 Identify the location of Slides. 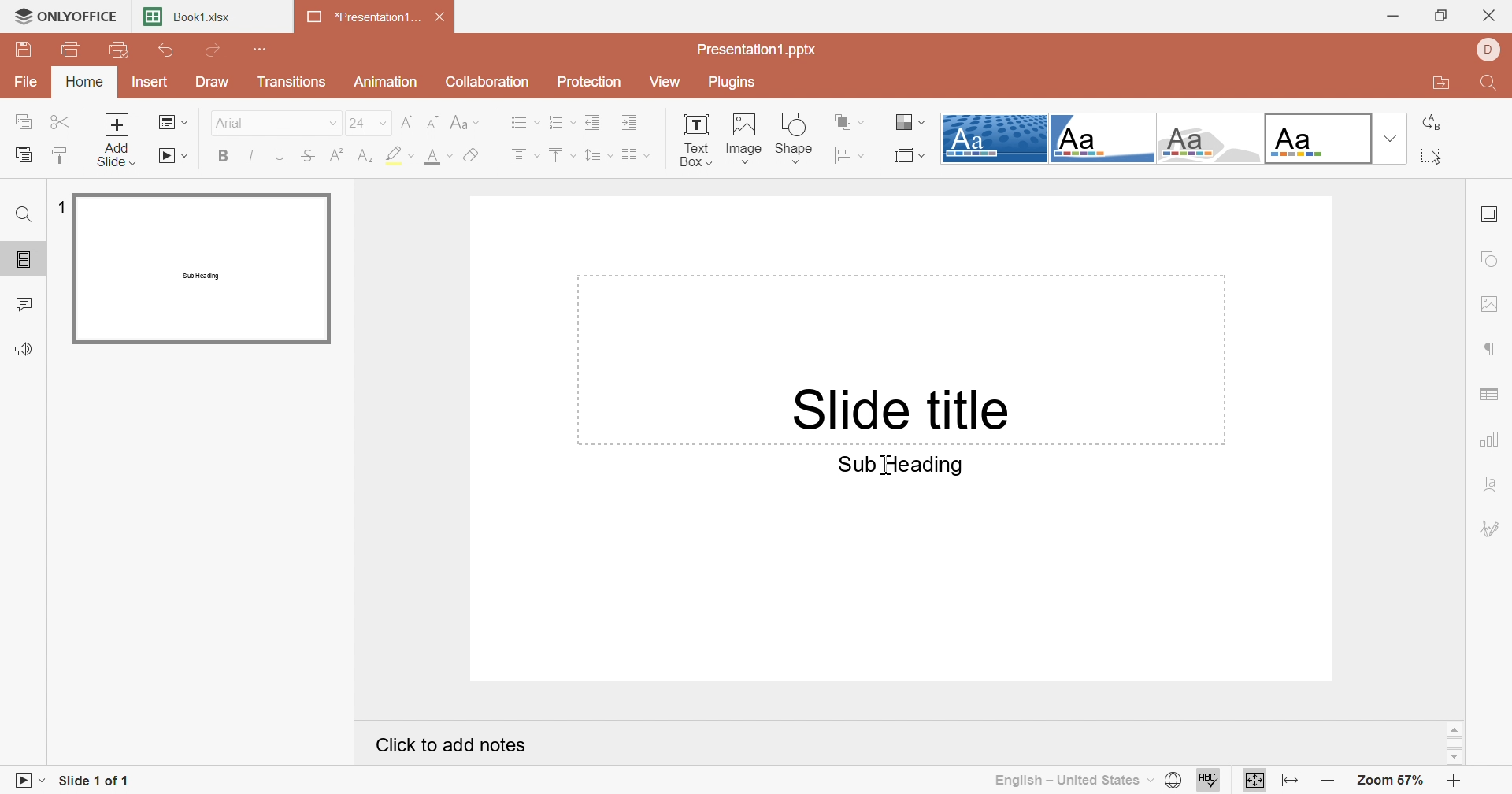
(24, 260).